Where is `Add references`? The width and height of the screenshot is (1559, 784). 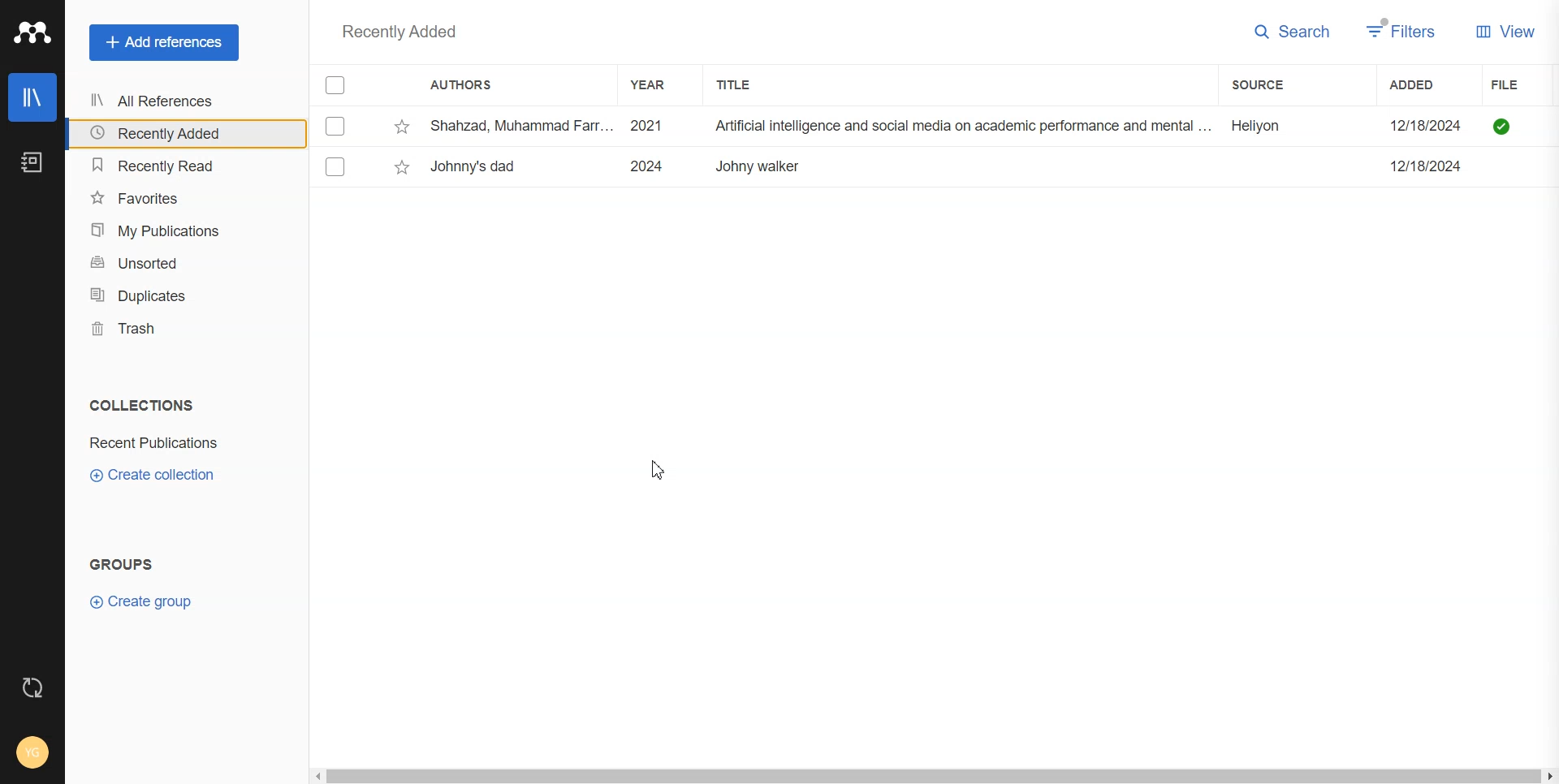
Add references is located at coordinates (164, 42).